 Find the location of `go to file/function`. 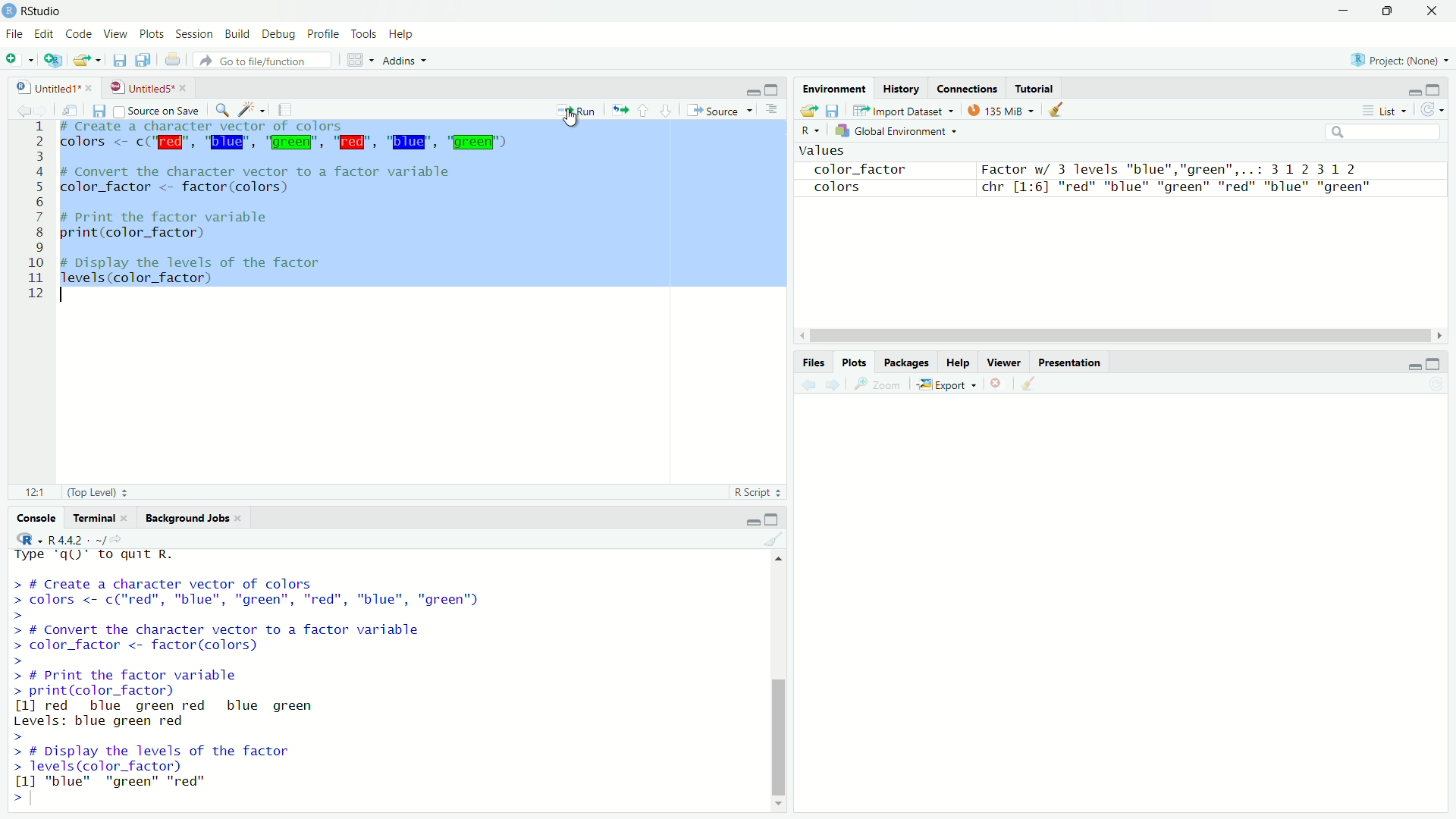

go to file/function is located at coordinates (262, 61).